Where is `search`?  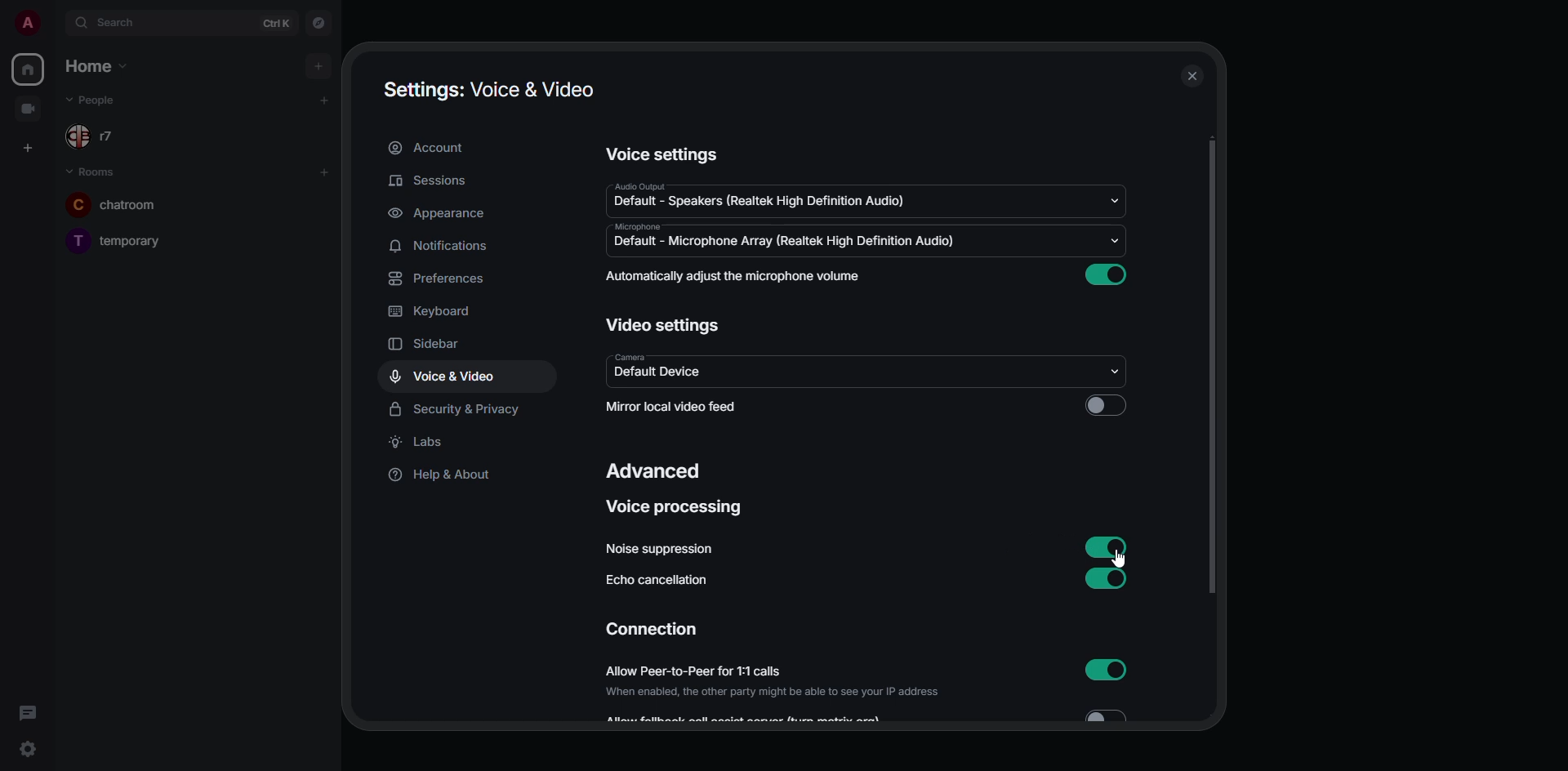 search is located at coordinates (120, 23).